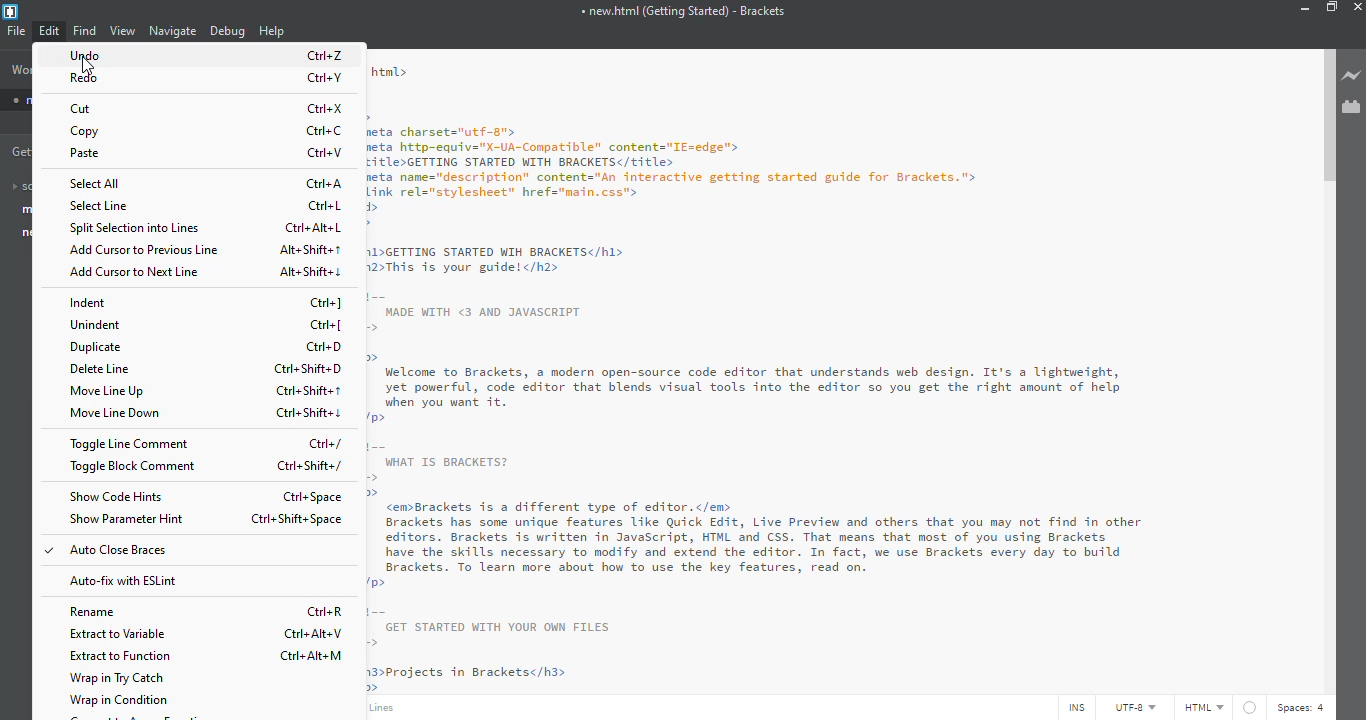  What do you see at coordinates (1251, 706) in the screenshot?
I see `linter` at bounding box center [1251, 706].